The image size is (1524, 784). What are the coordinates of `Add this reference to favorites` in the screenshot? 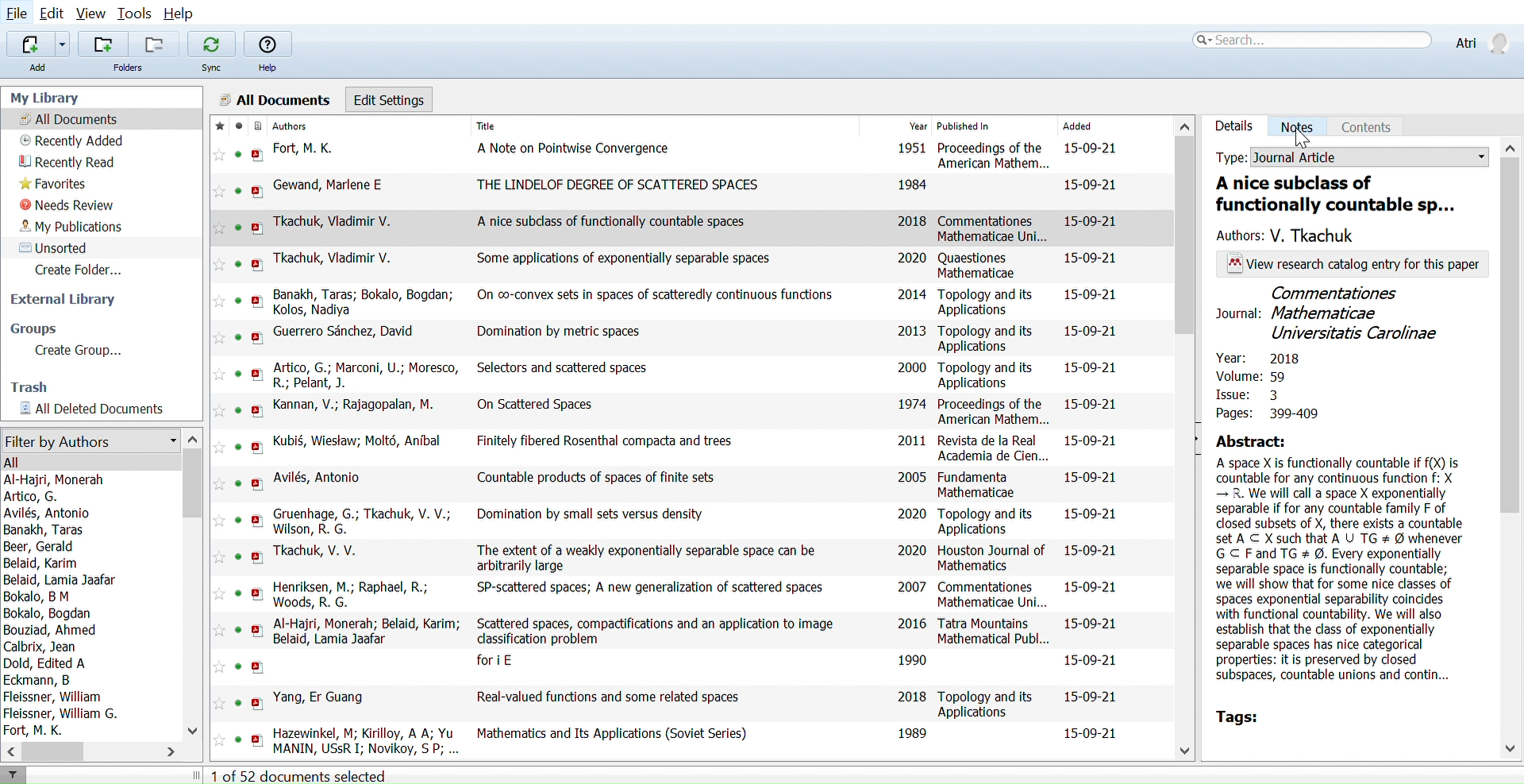 It's located at (220, 484).